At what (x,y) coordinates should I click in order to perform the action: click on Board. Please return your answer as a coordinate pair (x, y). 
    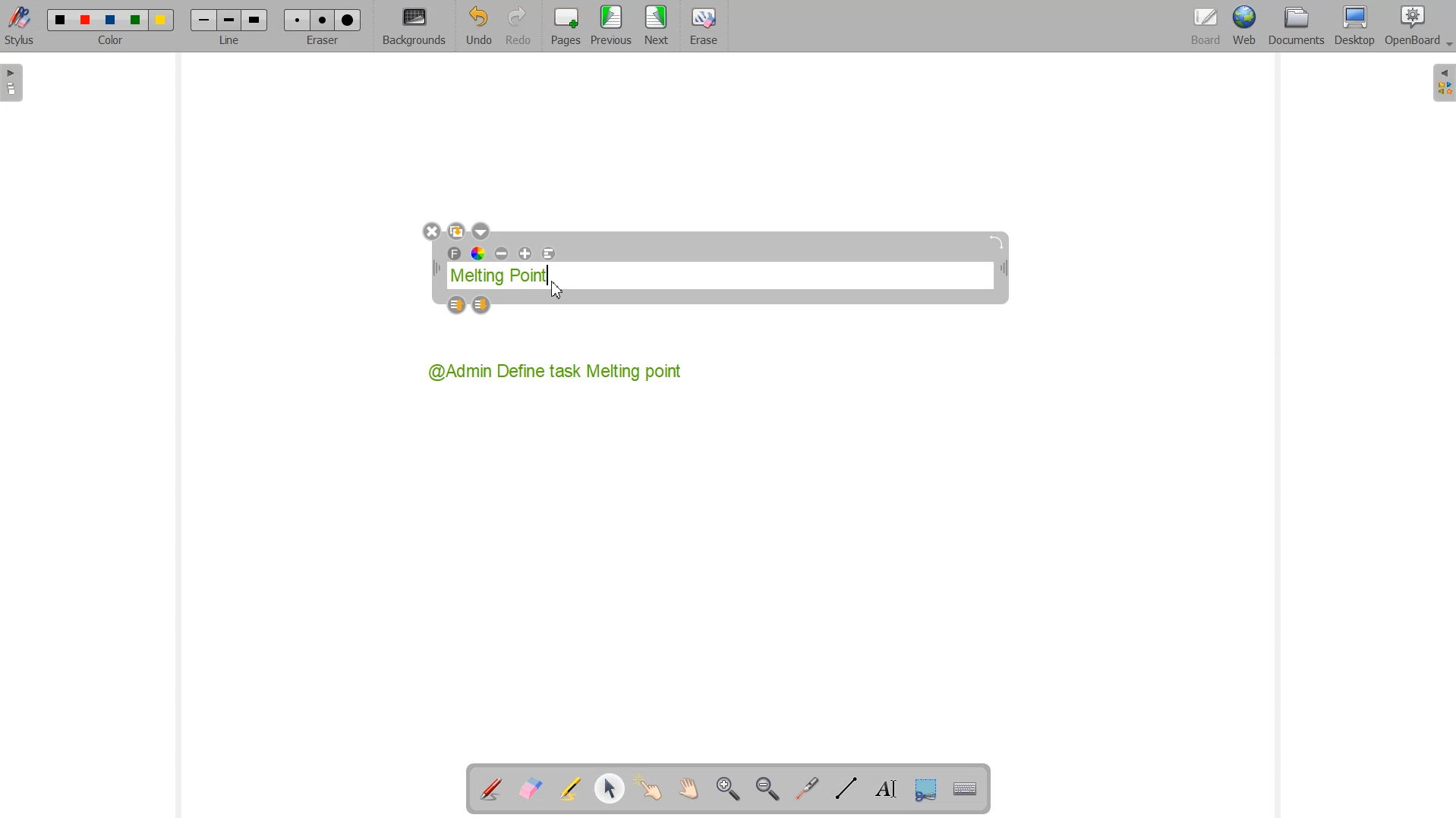
    Looking at the image, I should click on (1203, 27).